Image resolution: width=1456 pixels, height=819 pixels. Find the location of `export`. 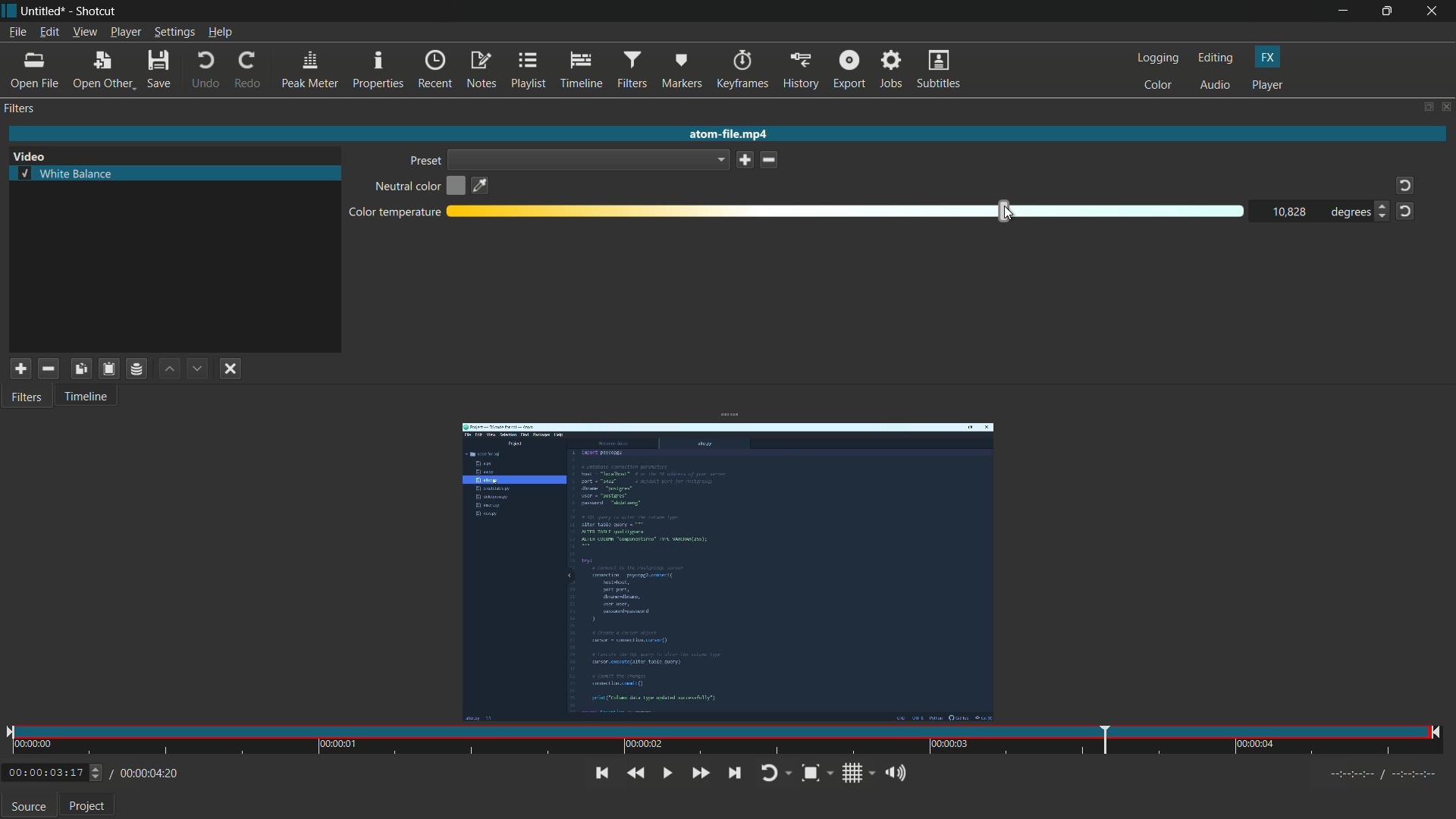

export is located at coordinates (849, 68).